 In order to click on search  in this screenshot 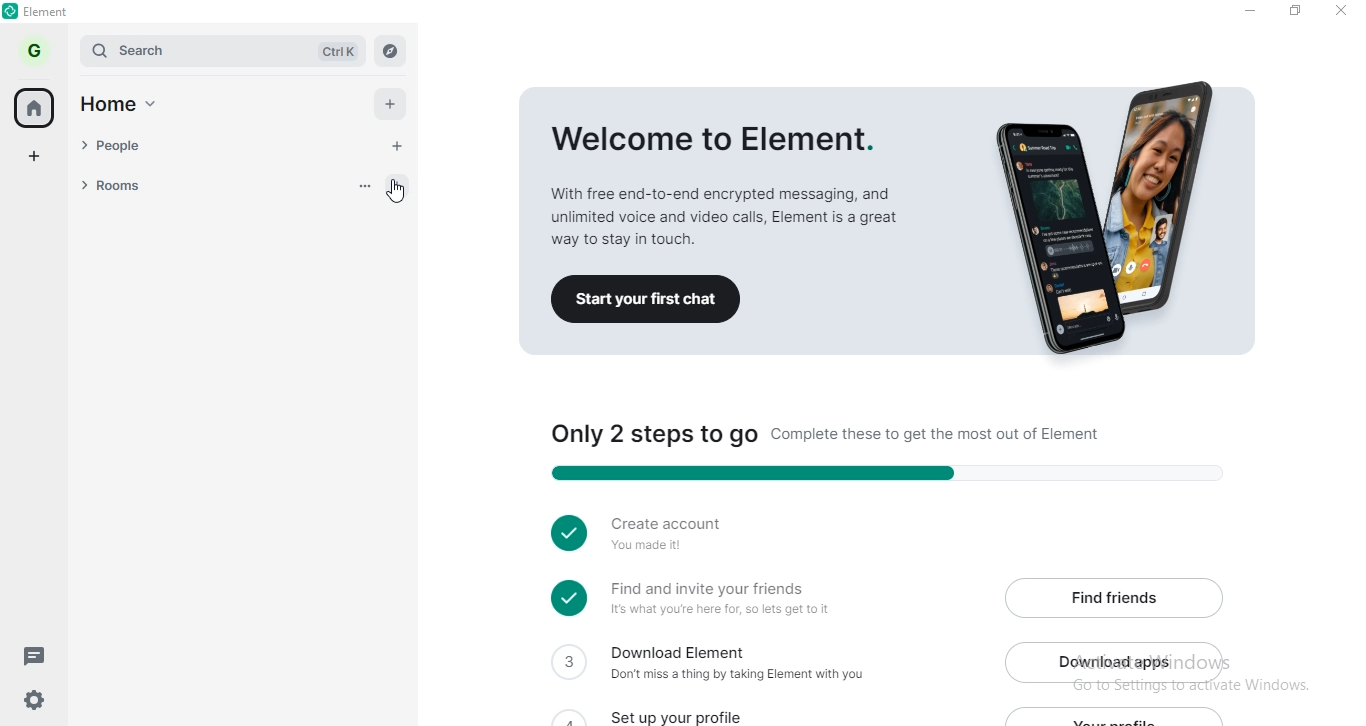, I will do `click(222, 51)`.